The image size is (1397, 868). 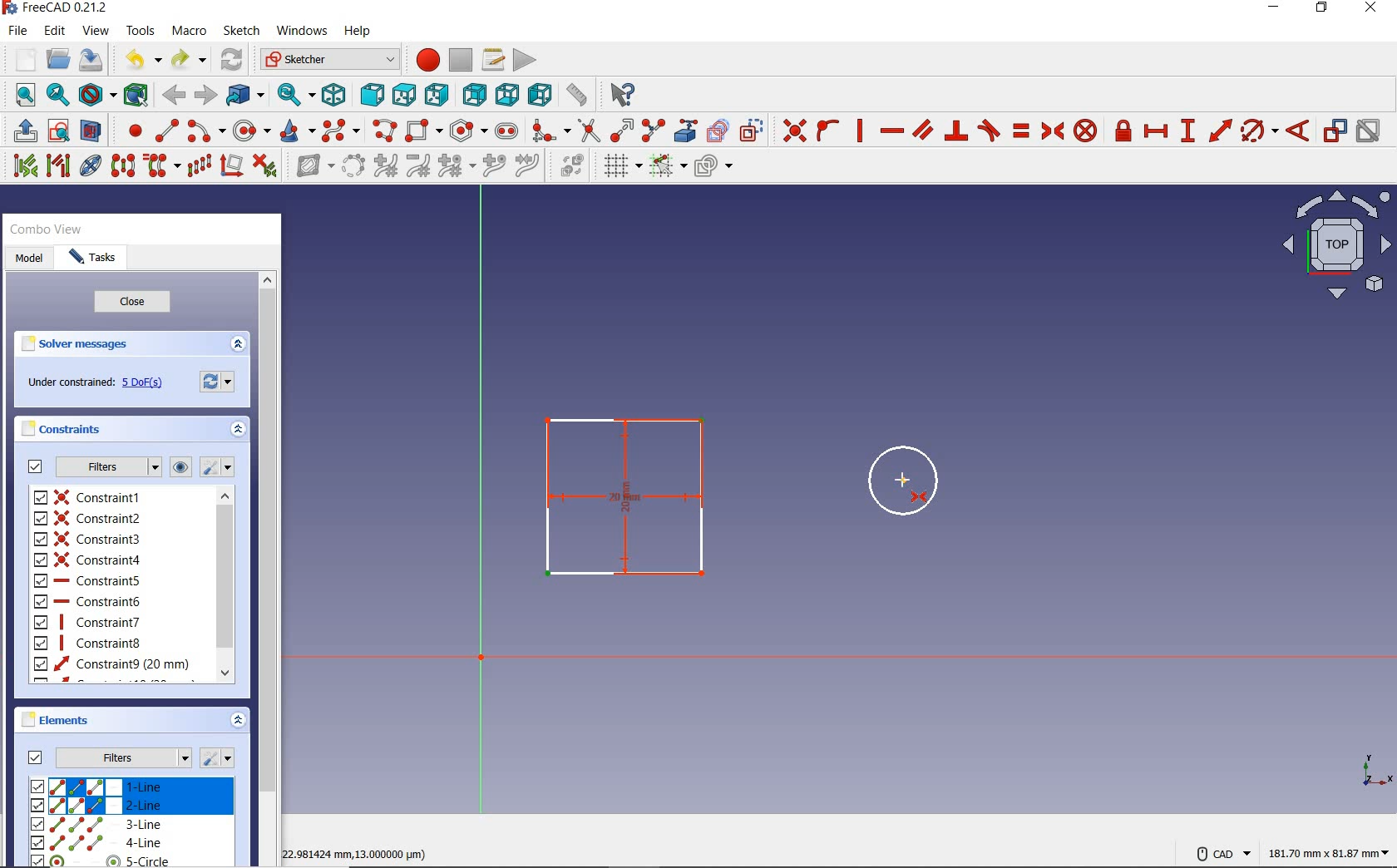 What do you see at coordinates (588, 131) in the screenshot?
I see `trim edge` at bounding box center [588, 131].